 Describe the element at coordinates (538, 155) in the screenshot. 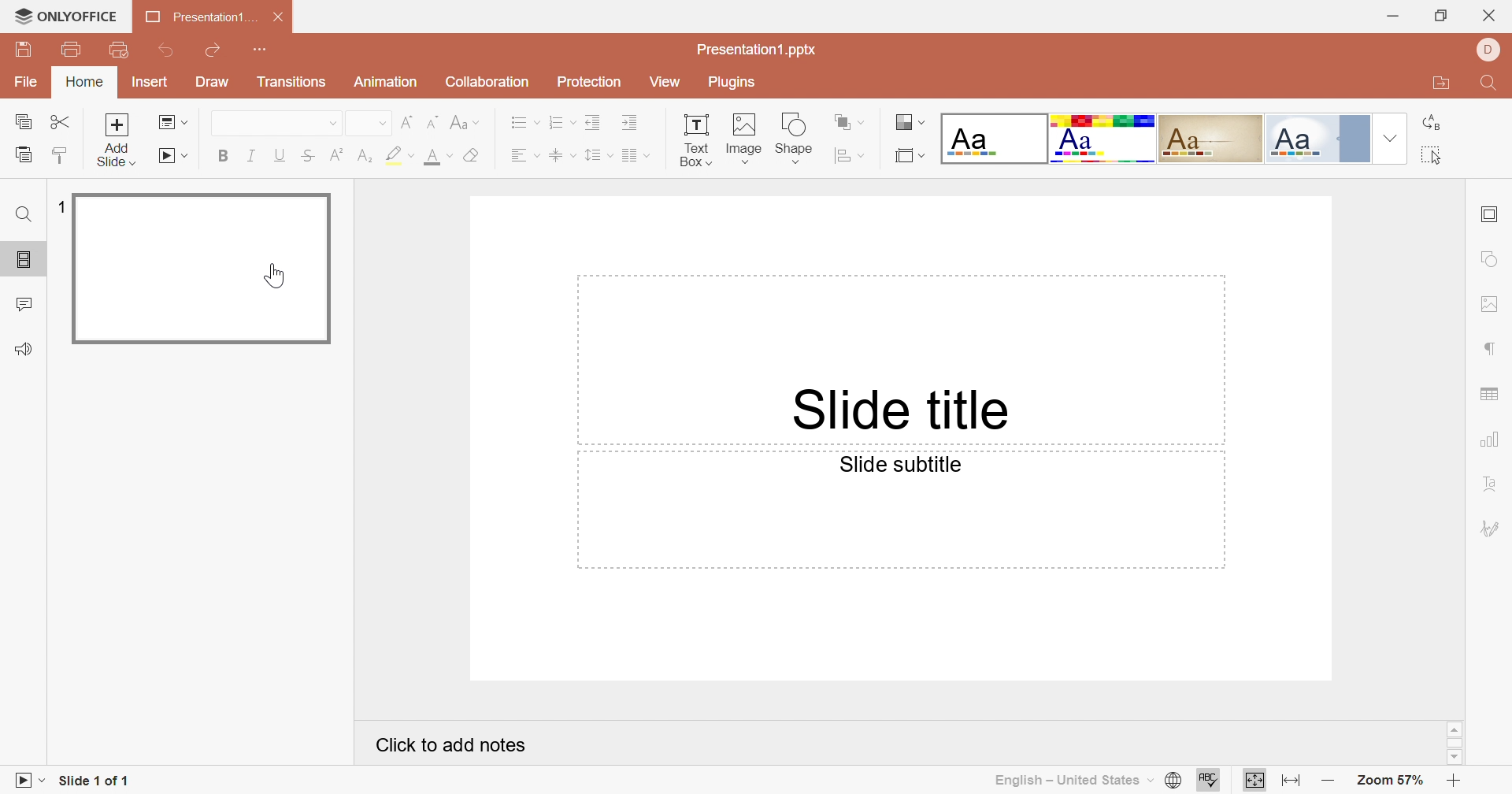

I see `Drop Down` at that location.